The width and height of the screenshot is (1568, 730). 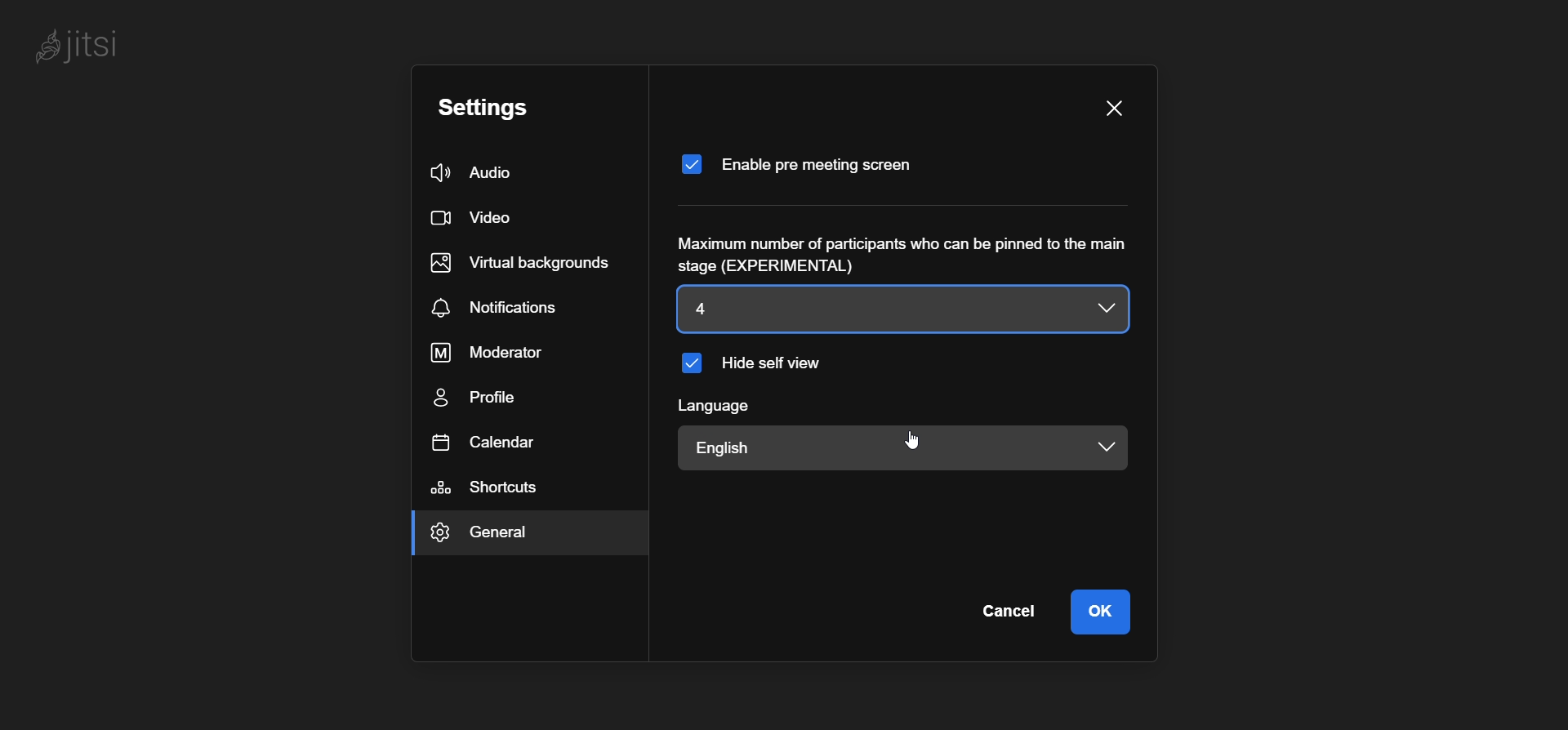 What do you see at coordinates (753, 362) in the screenshot?
I see `hide self view` at bounding box center [753, 362].